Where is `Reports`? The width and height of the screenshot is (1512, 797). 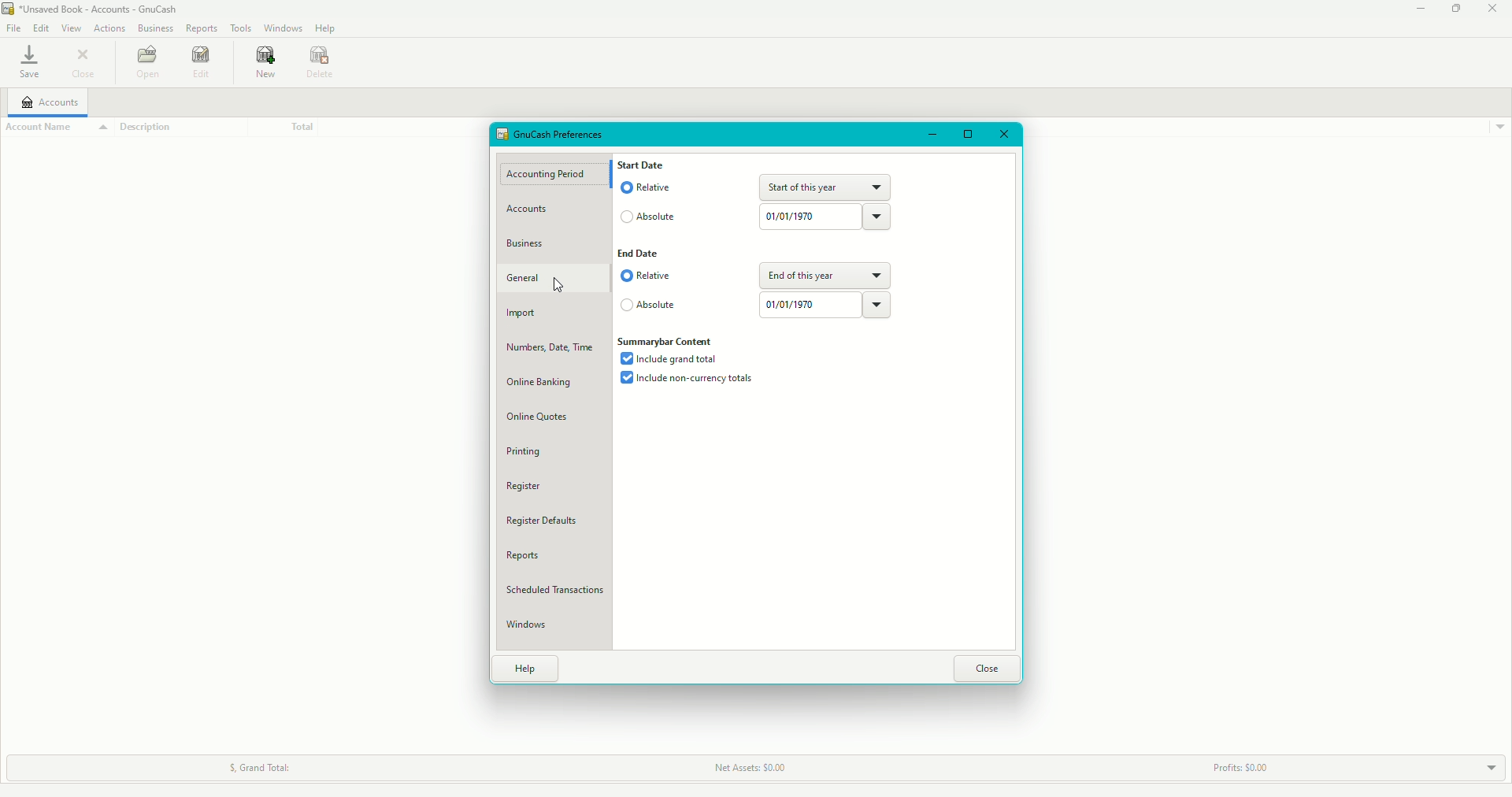 Reports is located at coordinates (520, 556).